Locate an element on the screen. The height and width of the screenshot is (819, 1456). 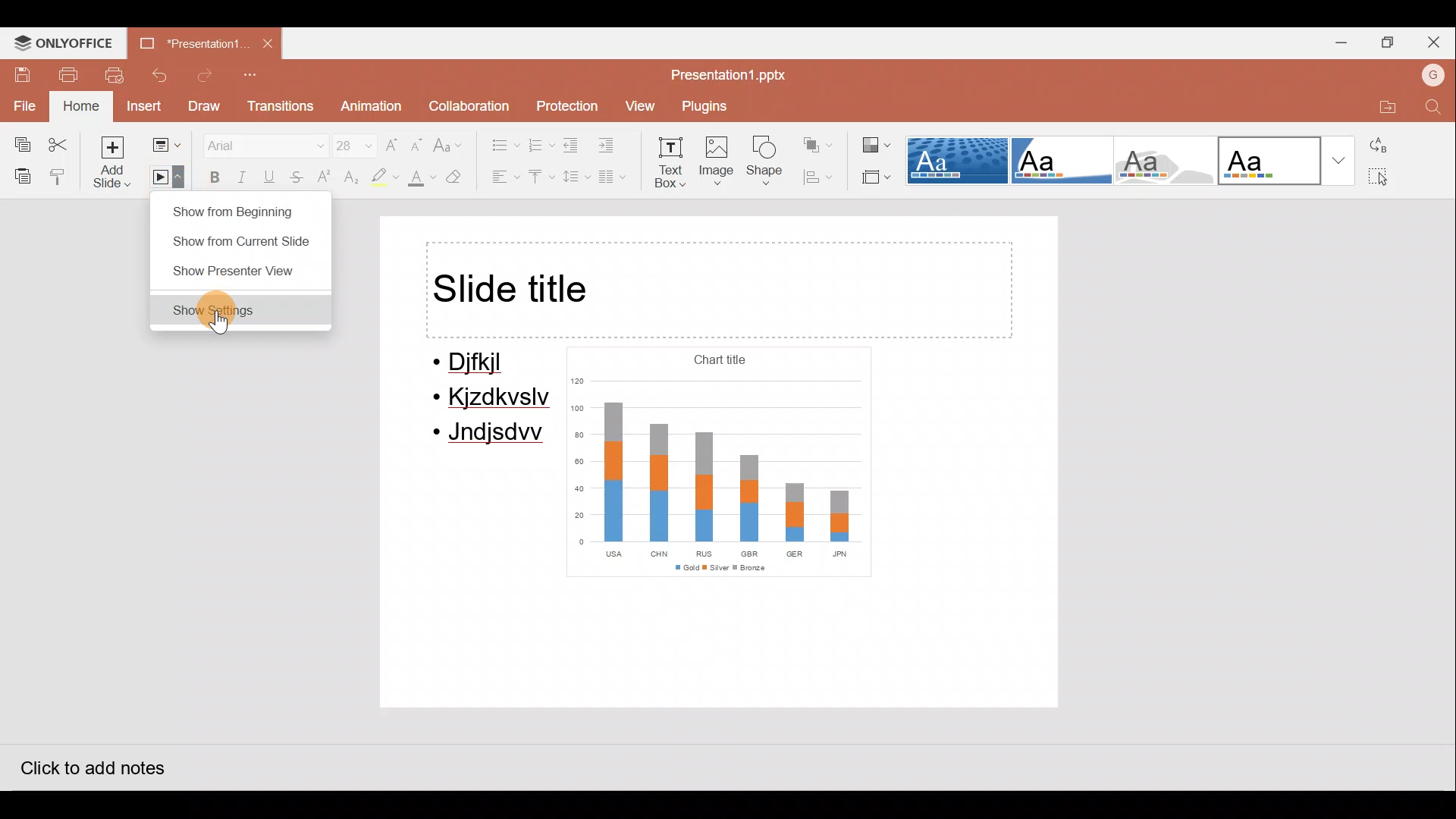
Jndjsdw is located at coordinates (490, 435).